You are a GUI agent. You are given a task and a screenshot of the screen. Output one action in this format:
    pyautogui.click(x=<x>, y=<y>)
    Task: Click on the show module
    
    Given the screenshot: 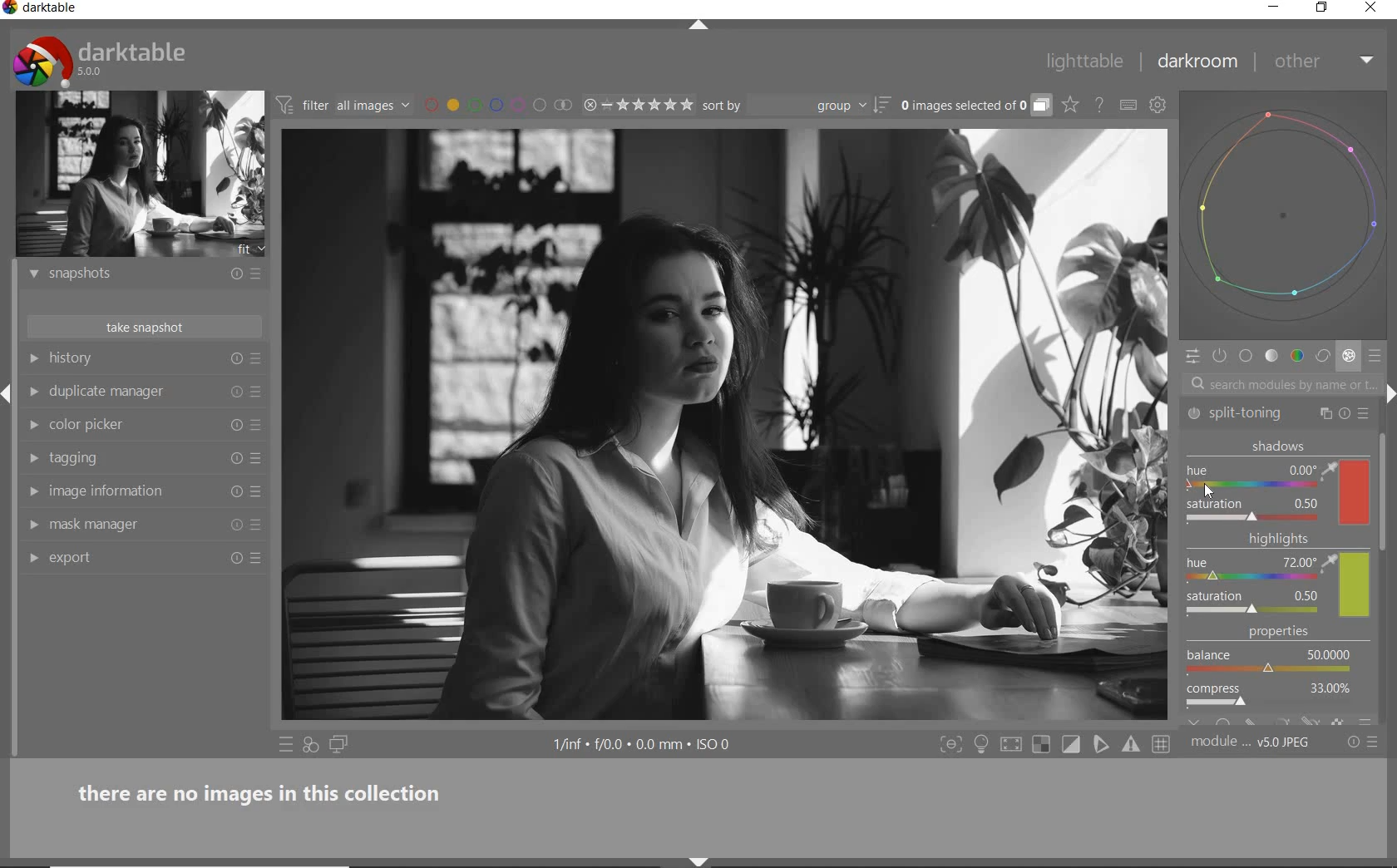 What is the action you would take?
    pyautogui.click(x=31, y=491)
    